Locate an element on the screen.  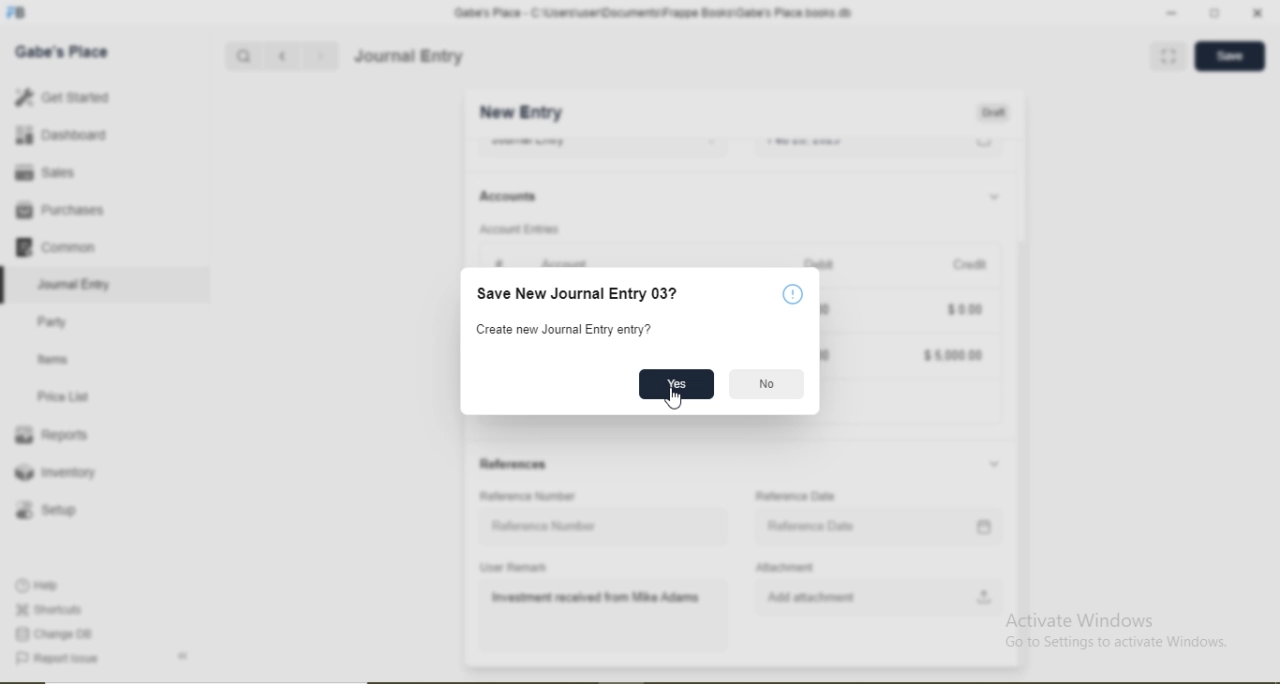
close is located at coordinates (1259, 13).